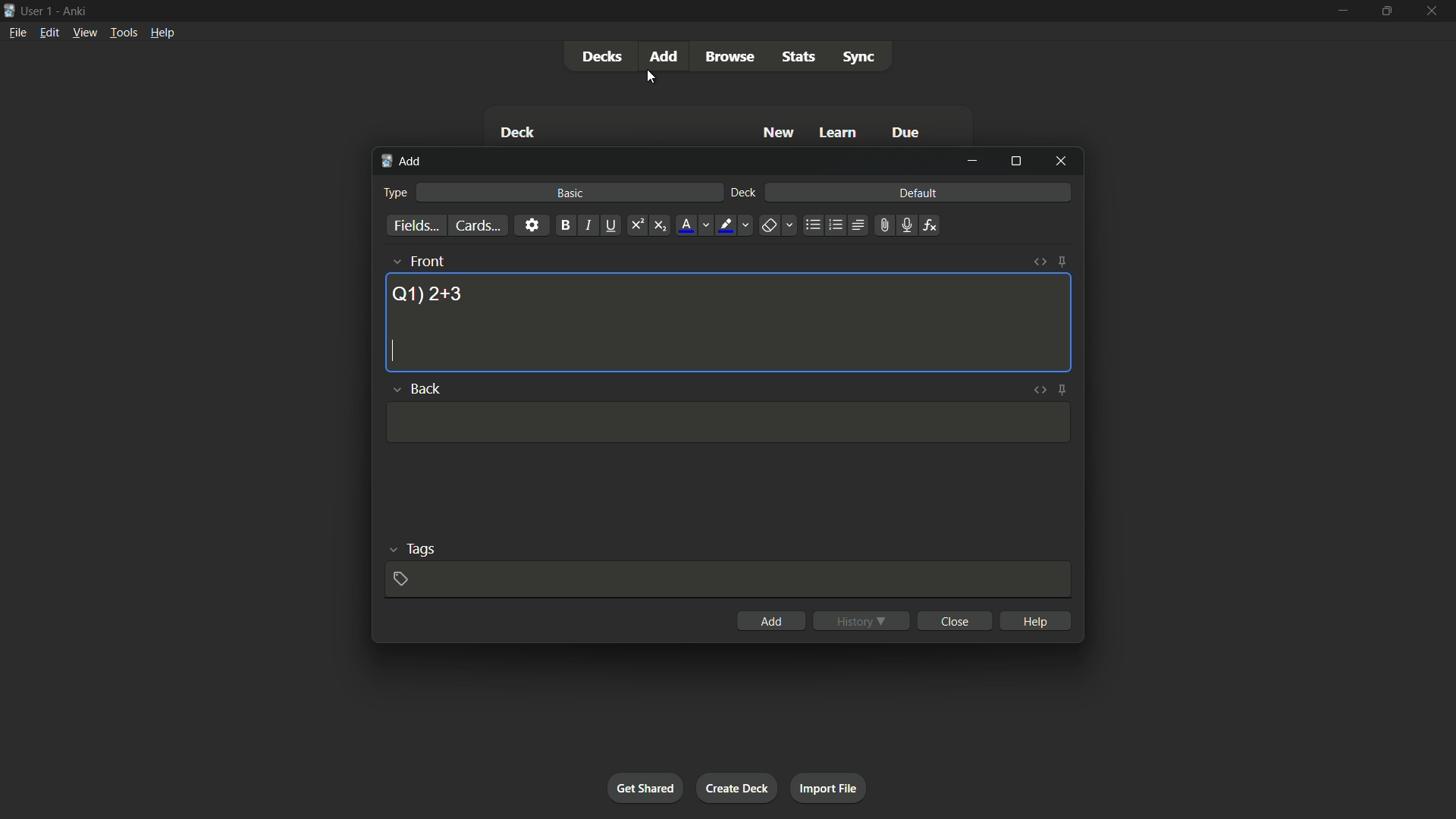 This screenshot has height=819, width=1456. What do you see at coordinates (394, 193) in the screenshot?
I see `type` at bounding box center [394, 193].